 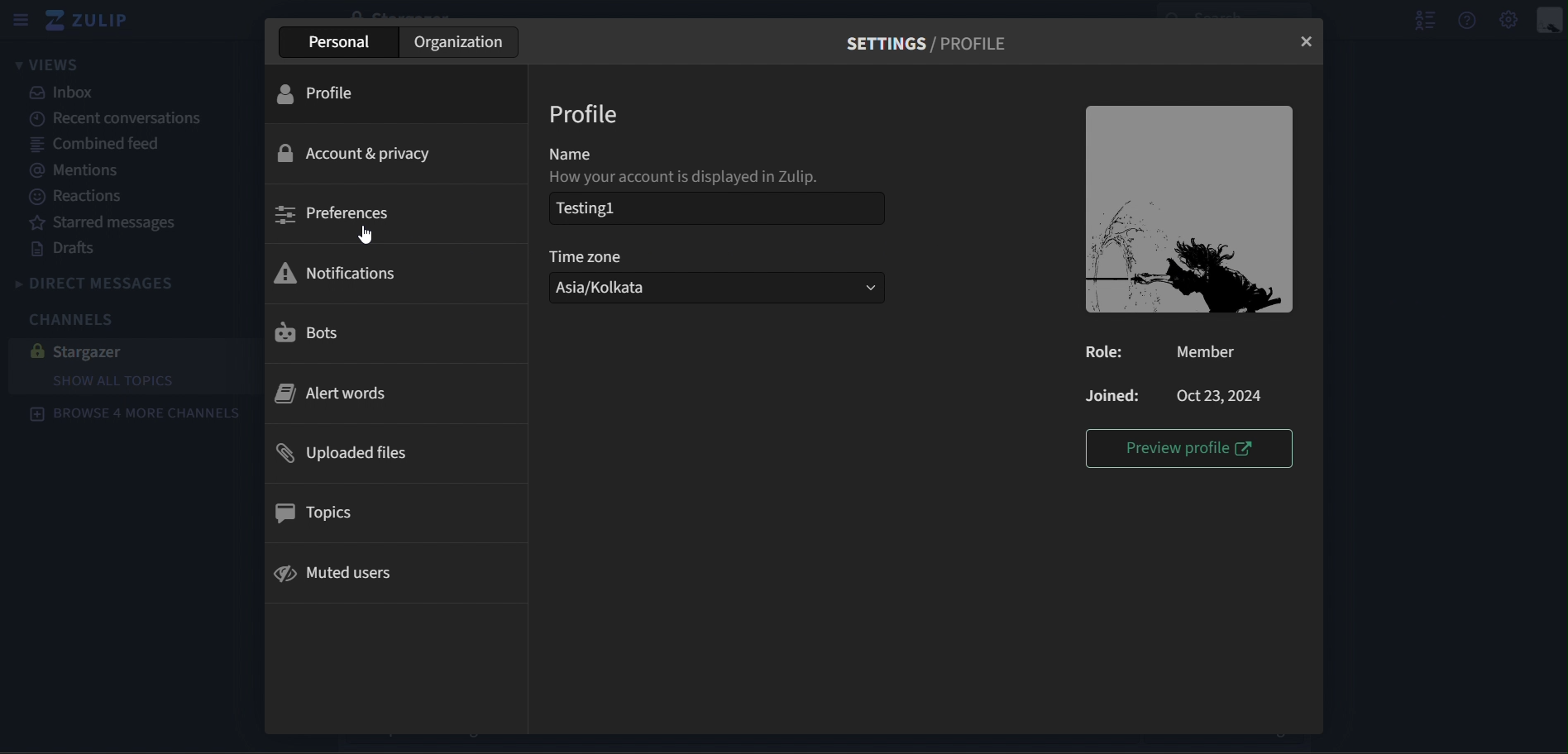 I want to click on stargazer, so click(x=122, y=351).